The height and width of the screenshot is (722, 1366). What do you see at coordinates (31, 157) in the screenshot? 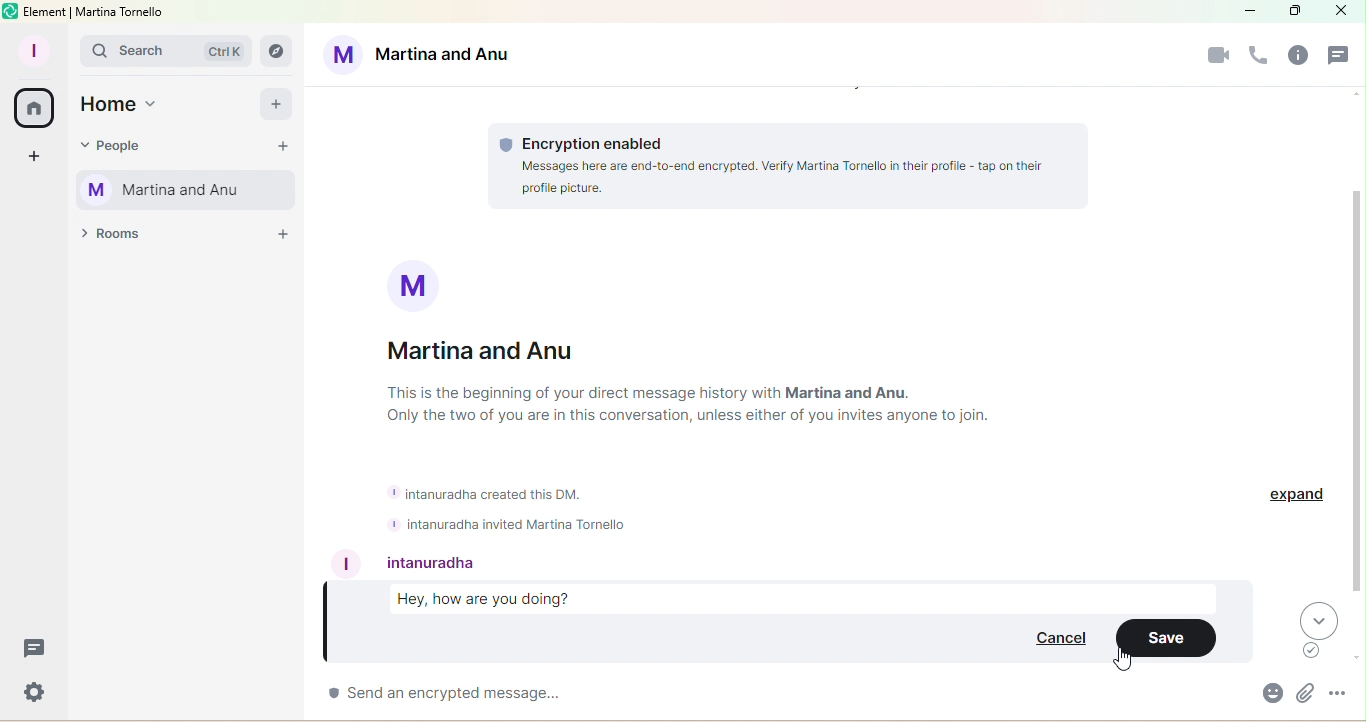
I see `Create a space` at bounding box center [31, 157].